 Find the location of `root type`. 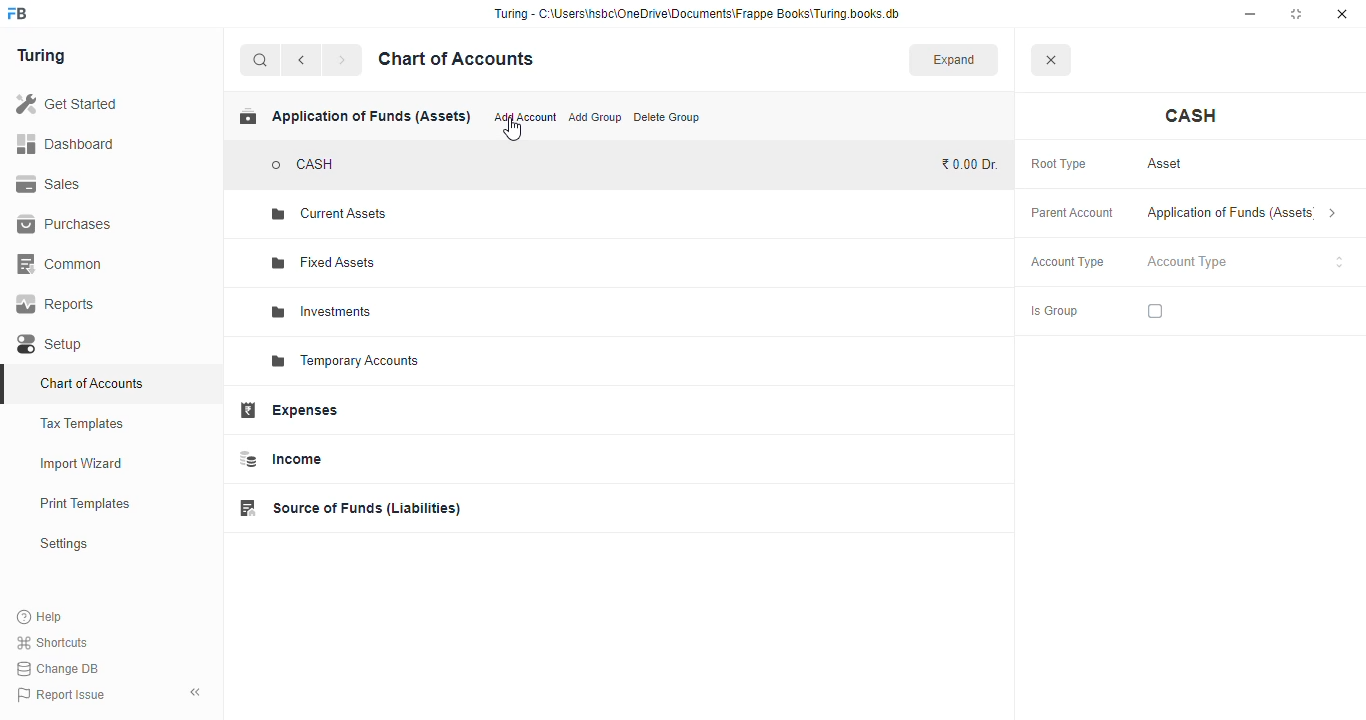

root type is located at coordinates (1059, 165).